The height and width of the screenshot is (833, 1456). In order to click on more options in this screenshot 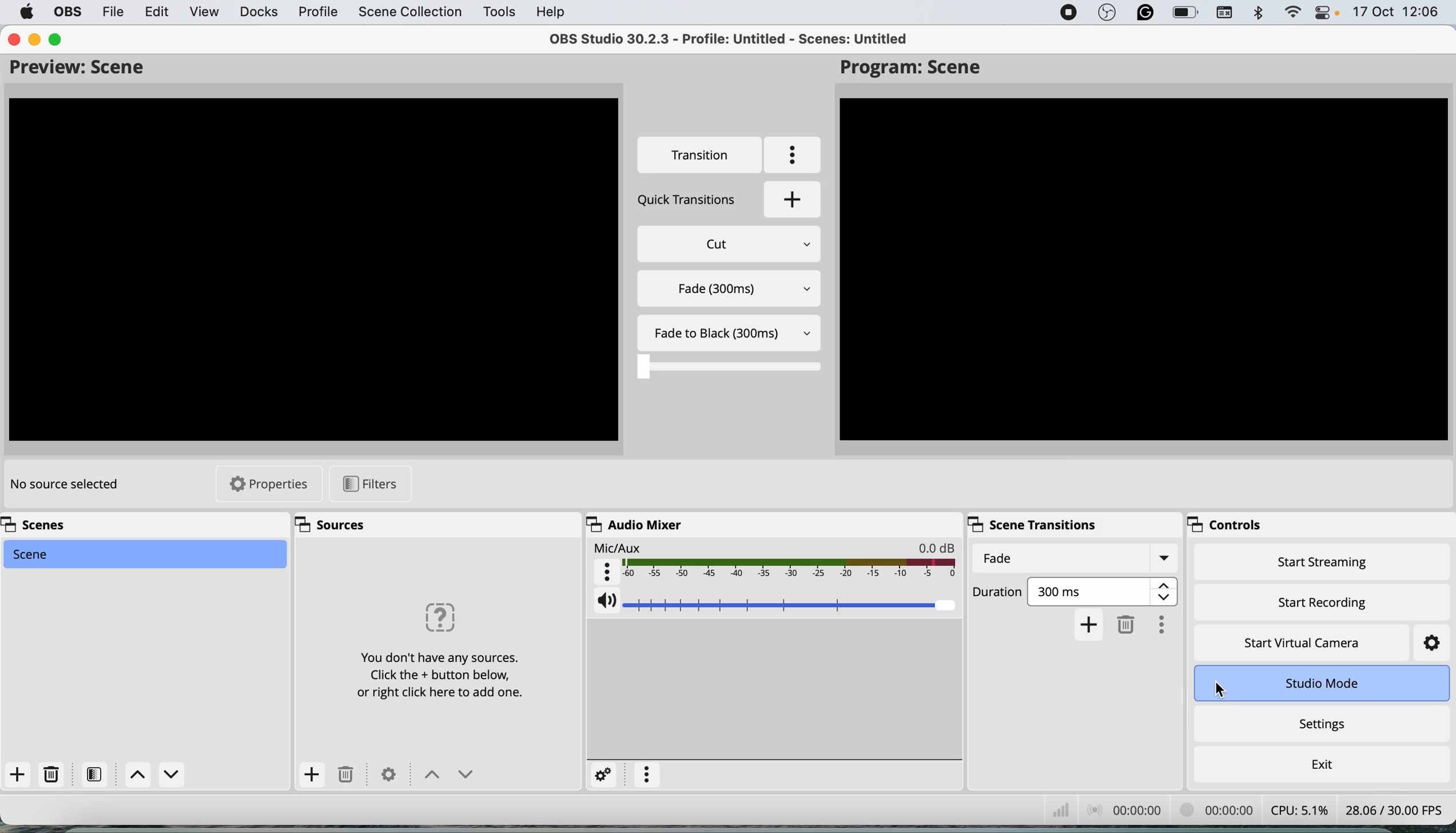, I will do `click(1164, 622)`.